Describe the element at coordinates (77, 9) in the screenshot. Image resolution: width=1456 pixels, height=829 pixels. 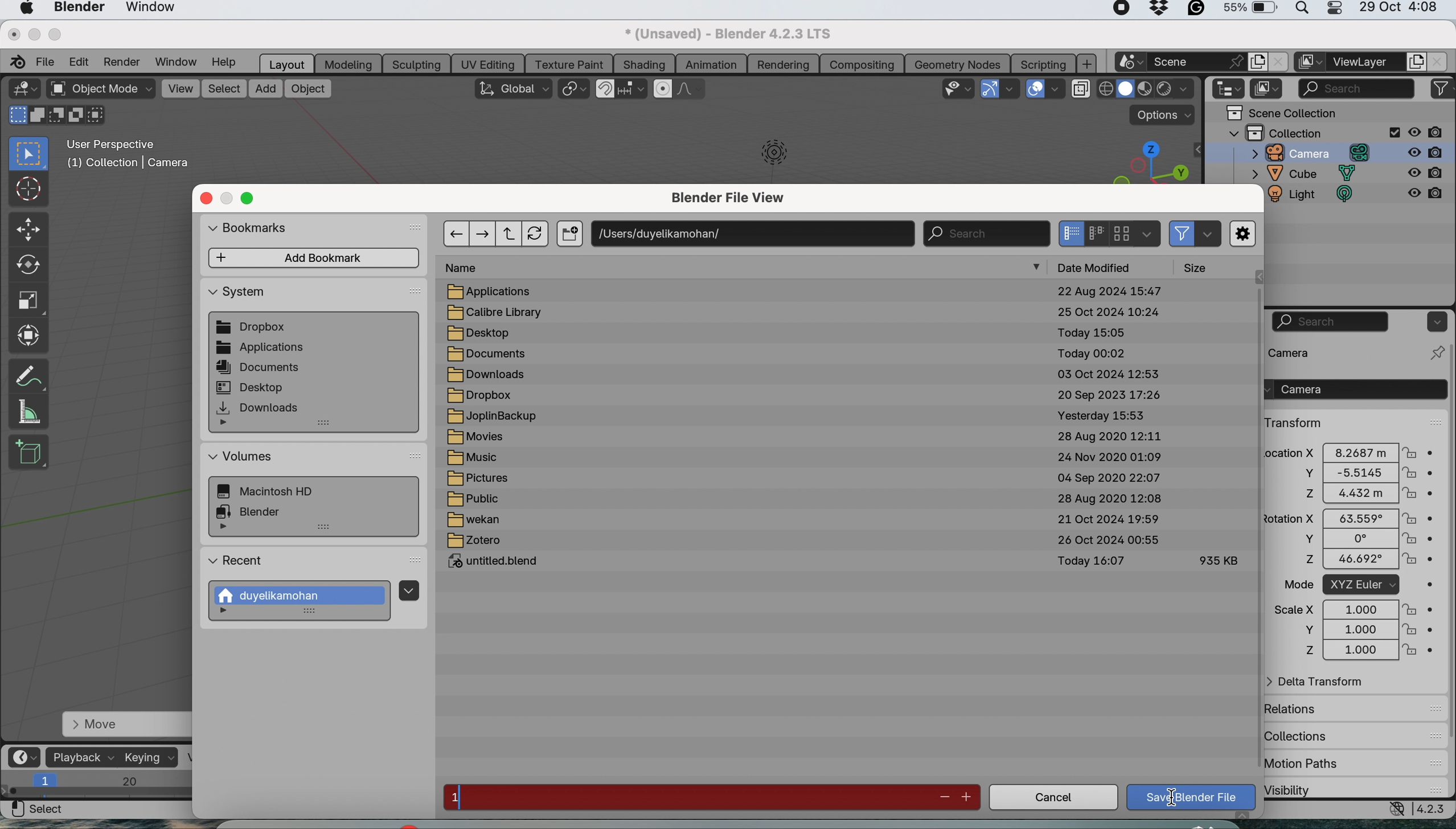
I see `blender` at that location.